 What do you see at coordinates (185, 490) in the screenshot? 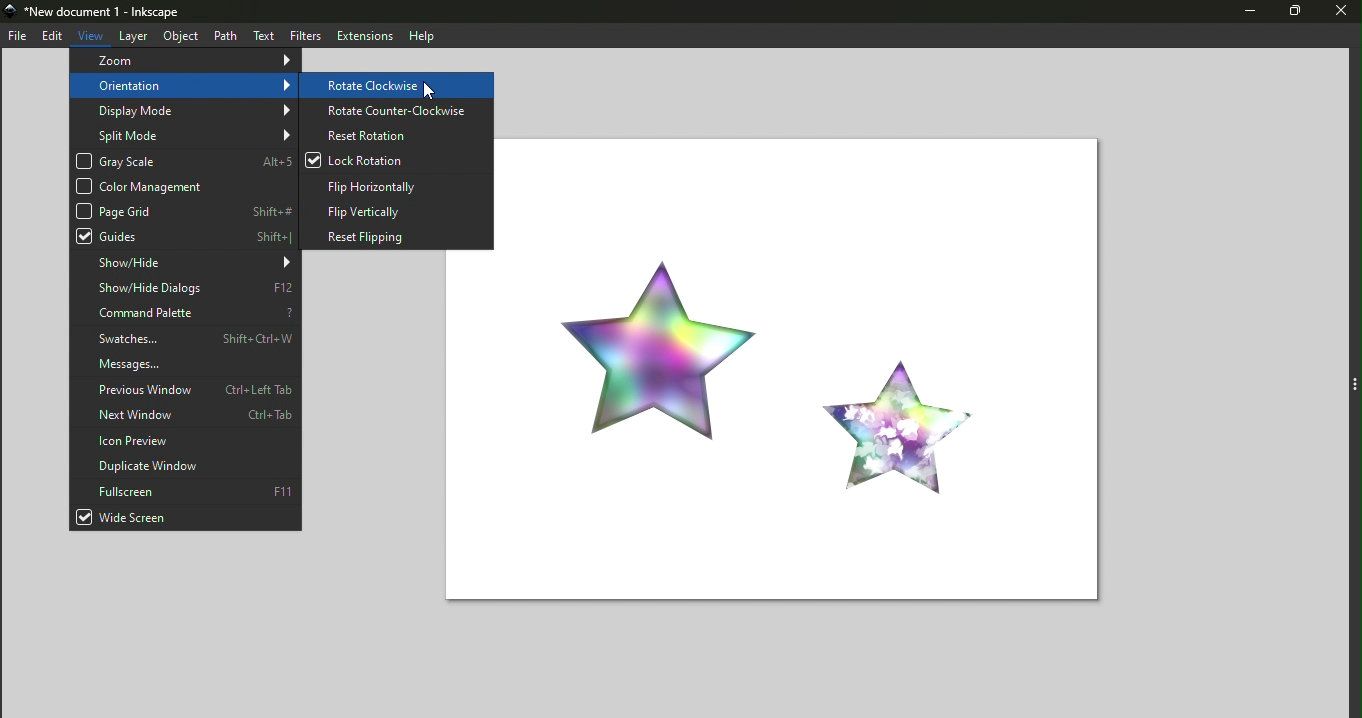
I see `Fullscreen` at bounding box center [185, 490].